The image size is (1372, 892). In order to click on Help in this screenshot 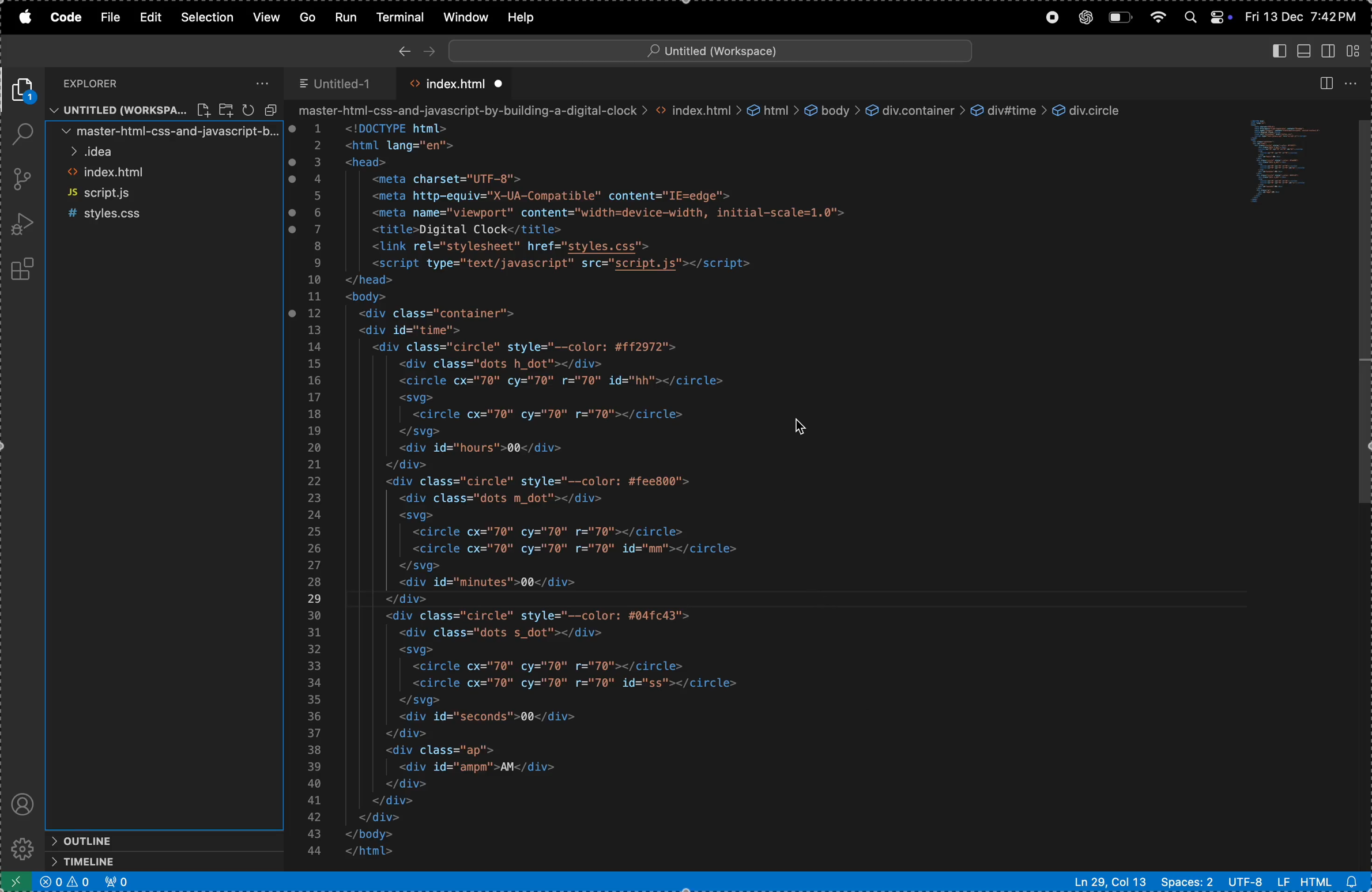, I will do `click(521, 17)`.